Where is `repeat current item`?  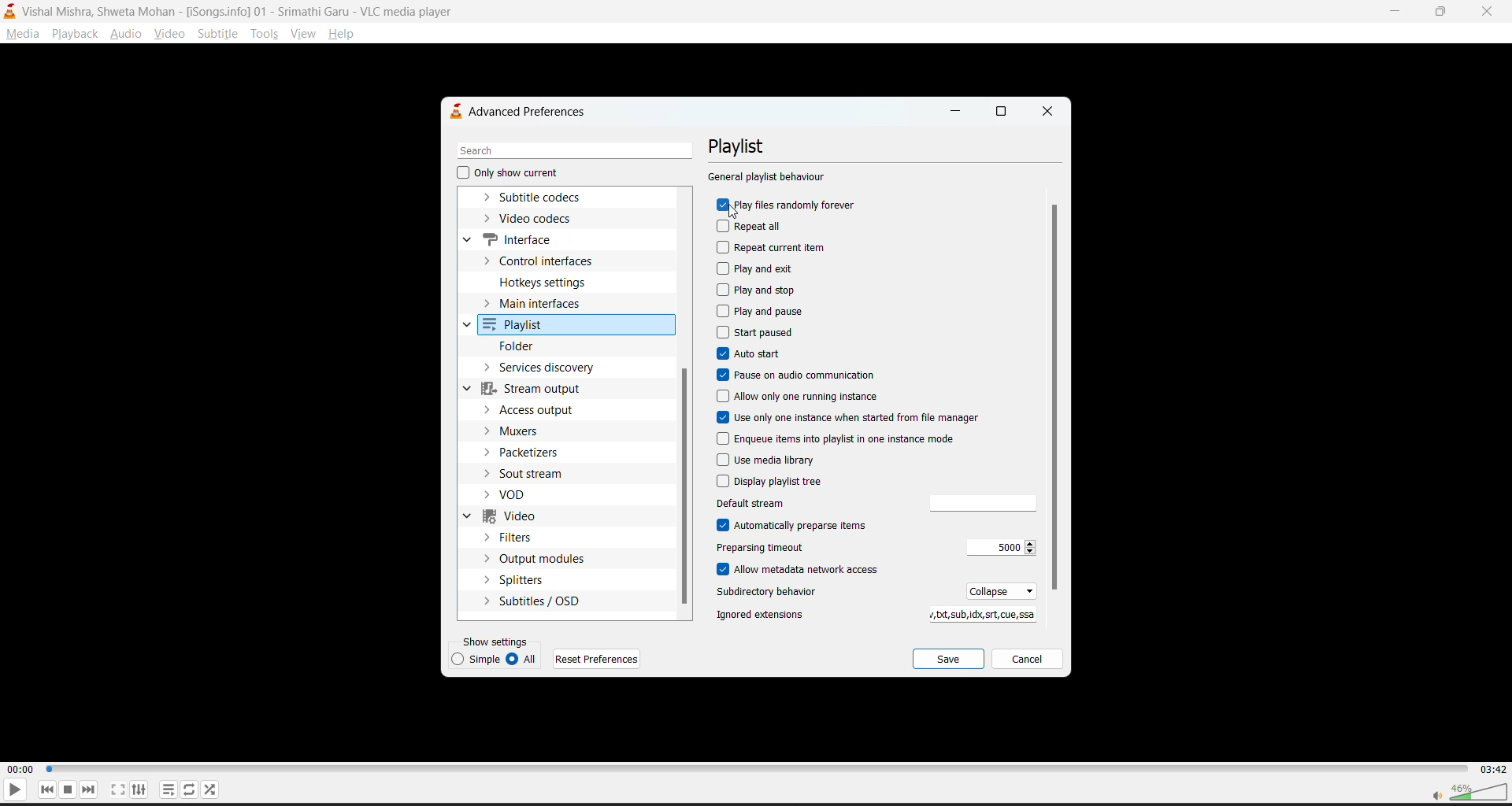 repeat current item is located at coordinates (774, 248).